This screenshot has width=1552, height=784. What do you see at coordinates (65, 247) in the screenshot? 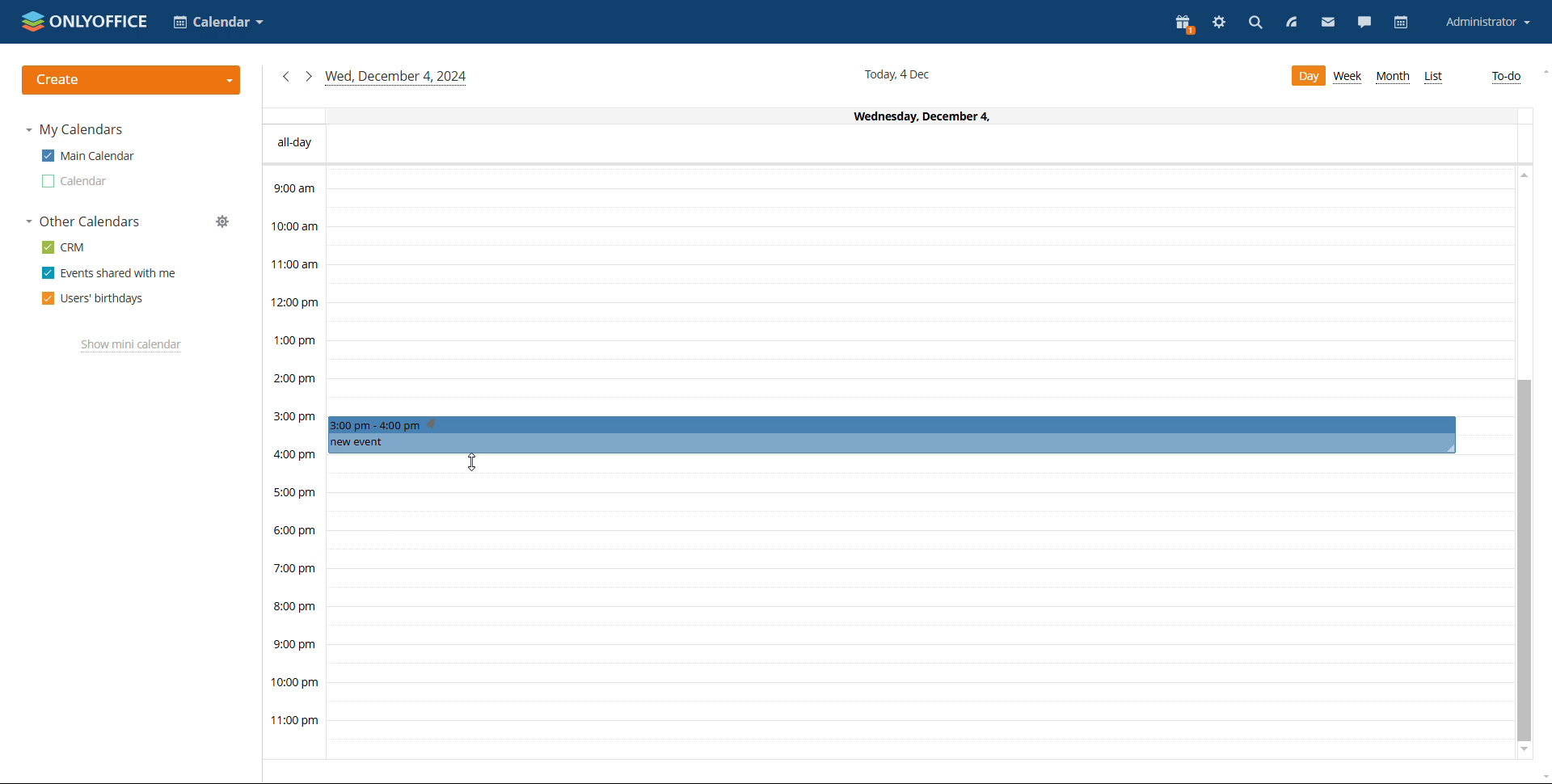
I see `crm` at bounding box center [65, 247].